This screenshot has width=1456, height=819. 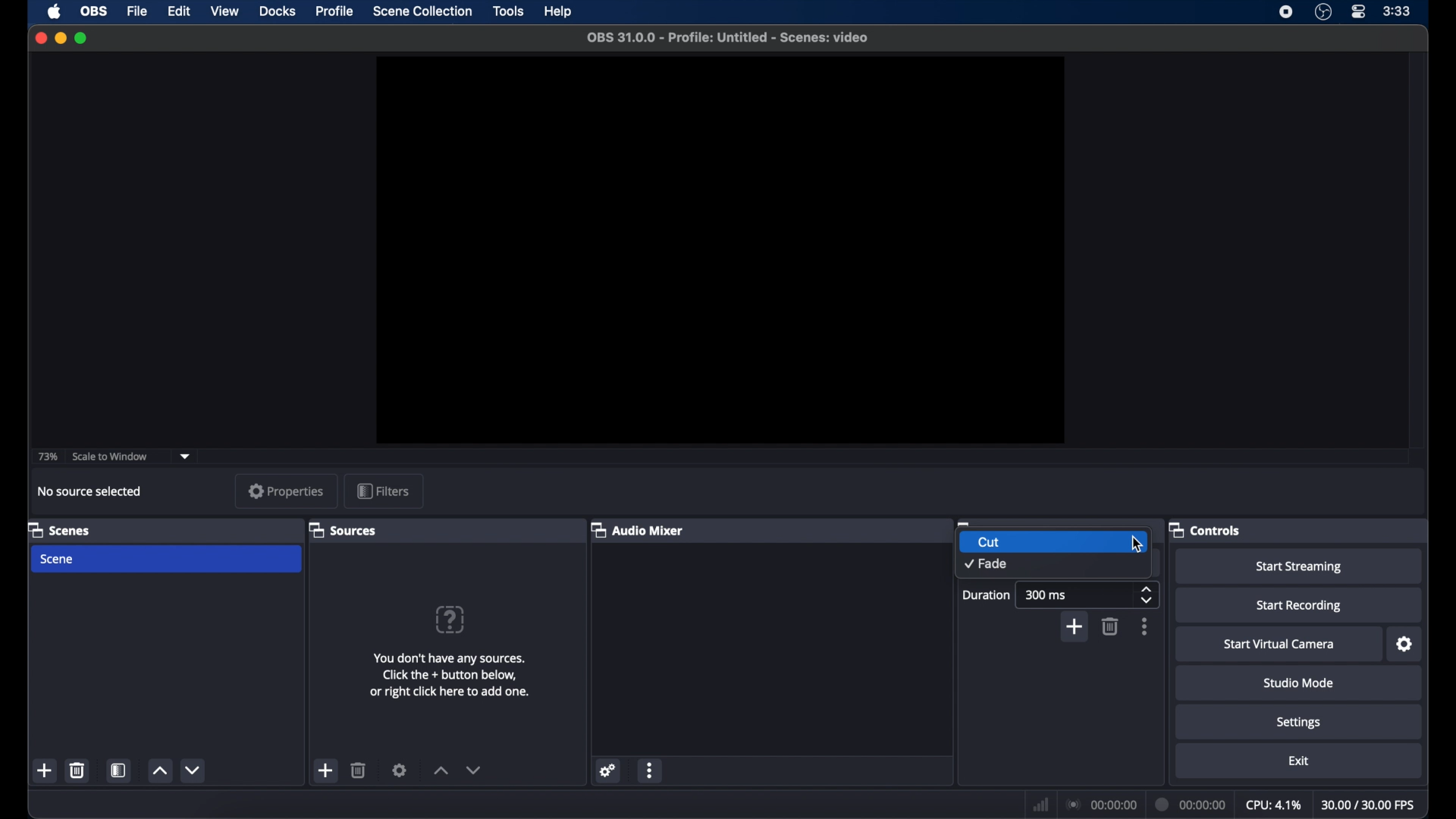 I want to click on view, so click(x=224, y=11).